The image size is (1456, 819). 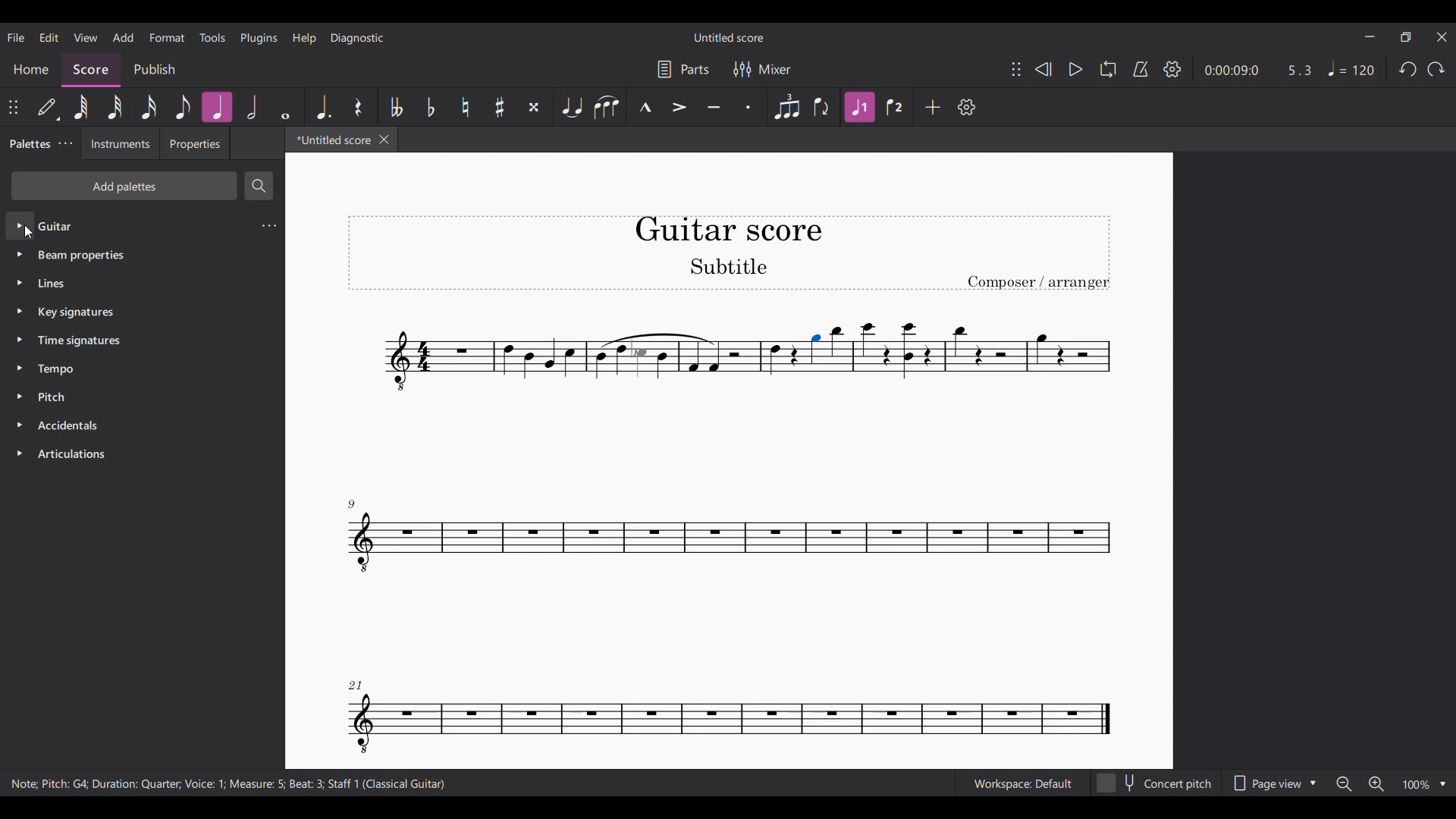 What do you see at coordinates (1406, 37) in the screenshot?
I see `Show in smaller tab` at bounding box center [1406, 37].